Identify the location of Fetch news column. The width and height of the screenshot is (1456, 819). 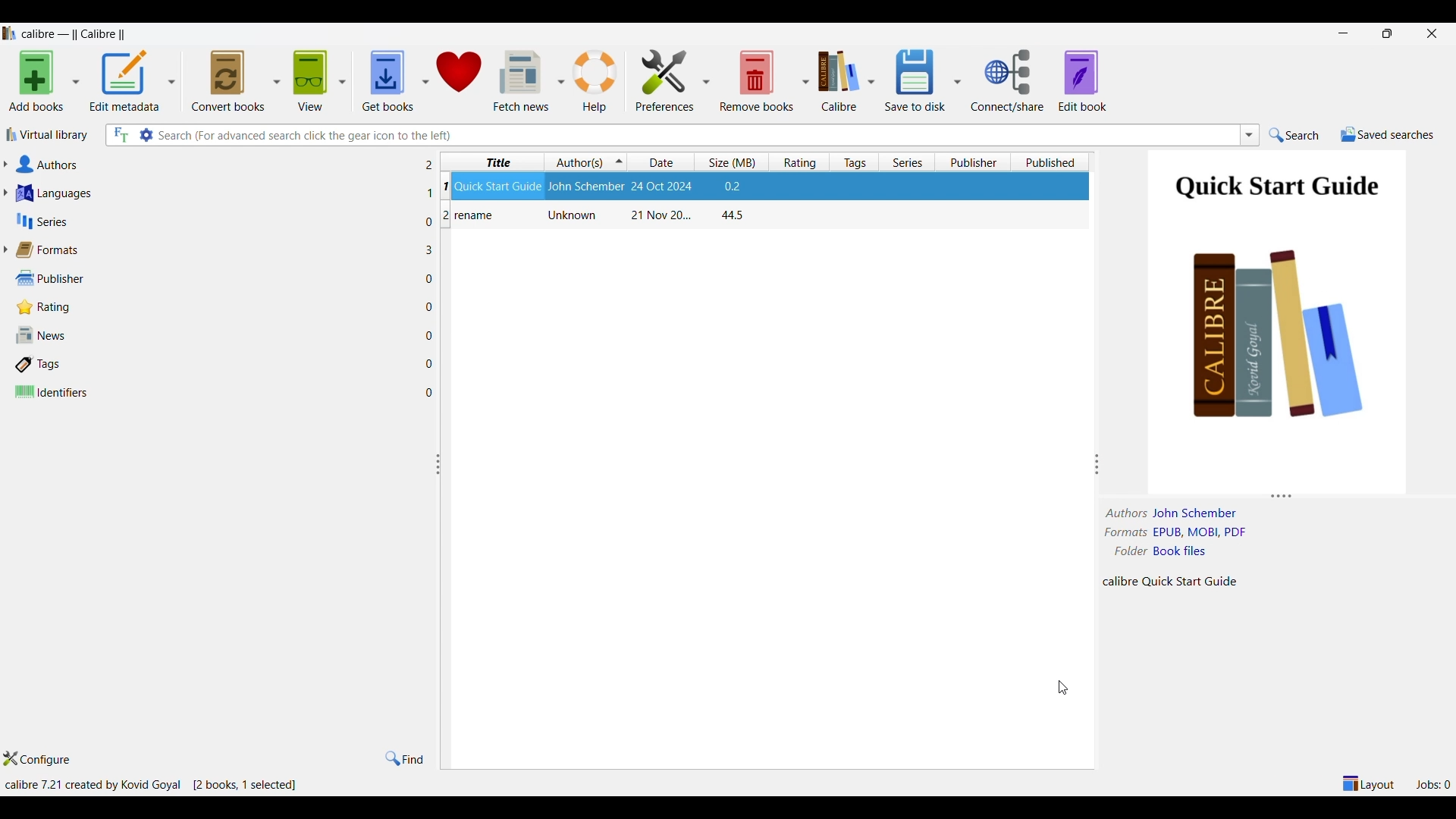
(560, 80).